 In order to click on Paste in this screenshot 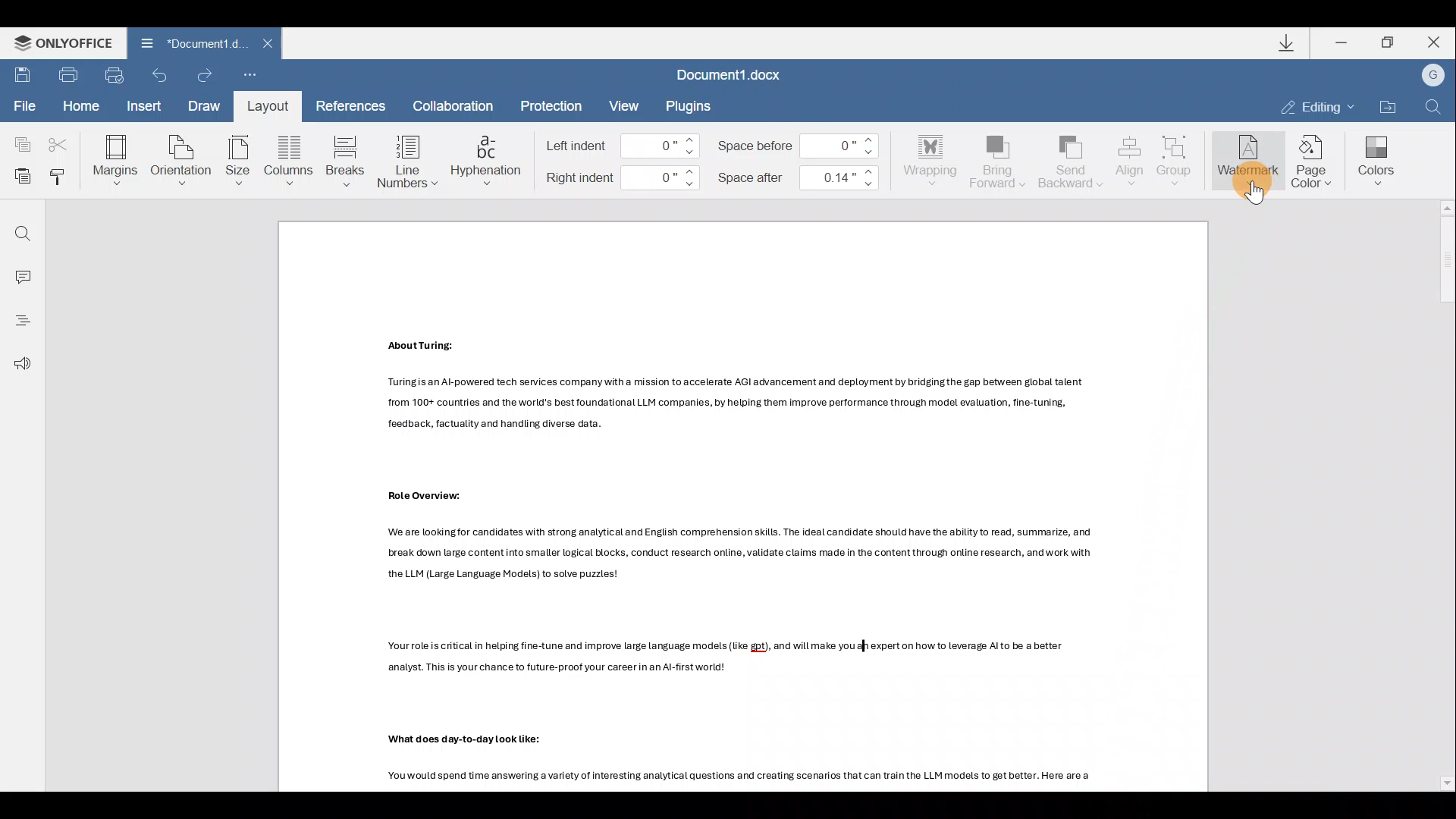, I will do `click(20, 177)`.